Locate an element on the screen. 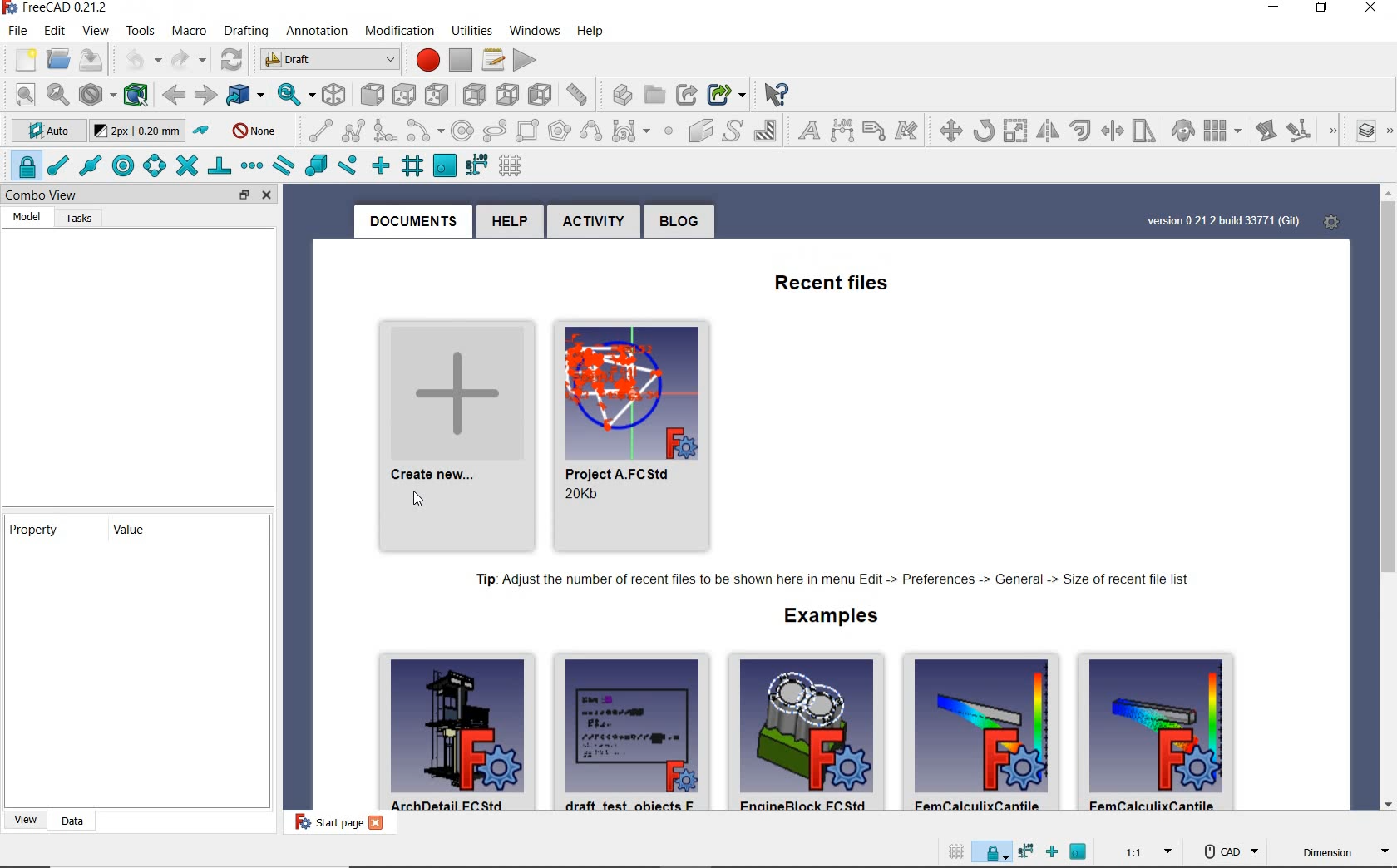  snap parallel is located at coordinates (284, 165).